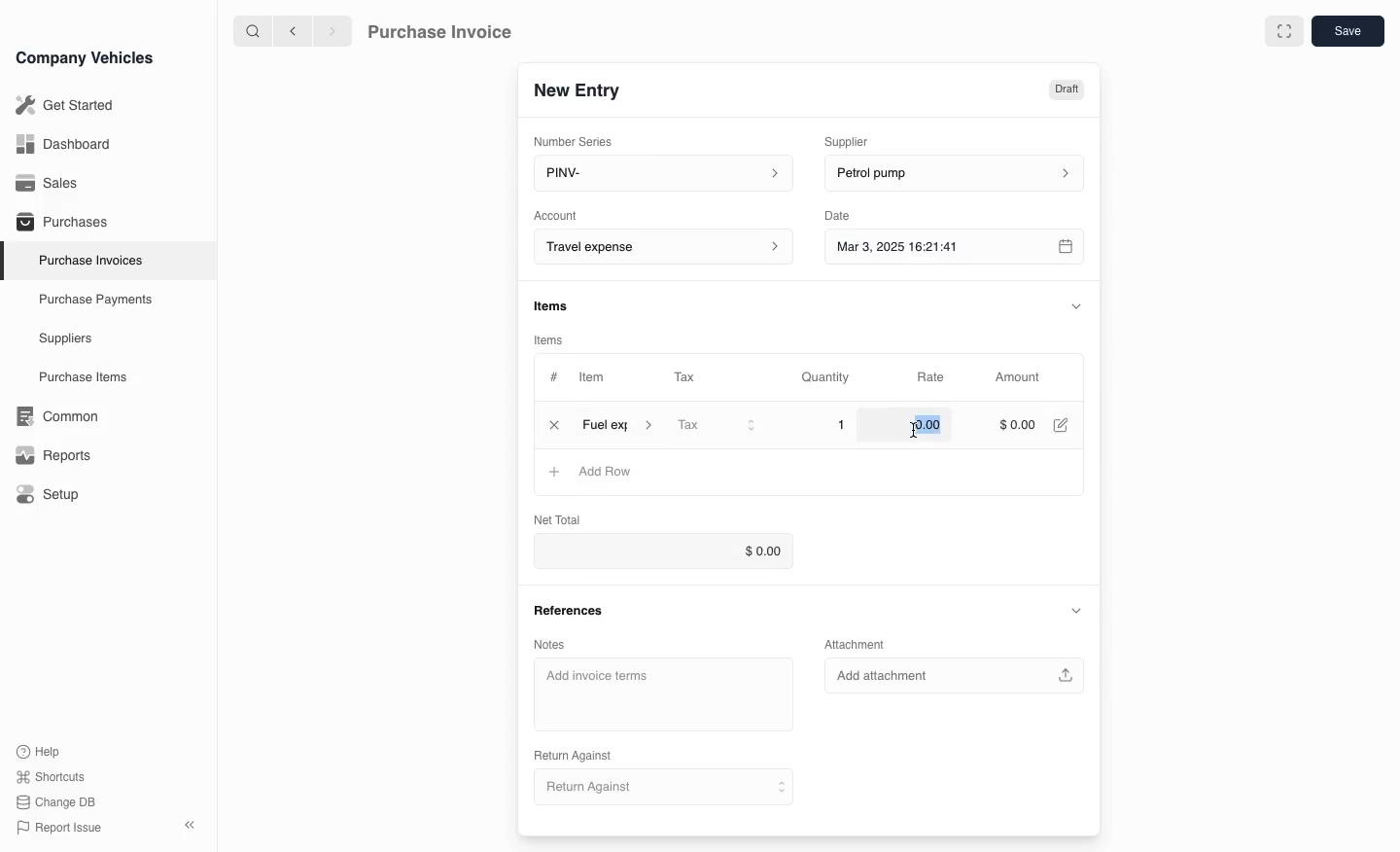 The width and height of the screenshot is (1400, 852). What do you see at coordinates (561, 641) in the screenshot?
I see `Notes.` at bounding box center [561, 641].